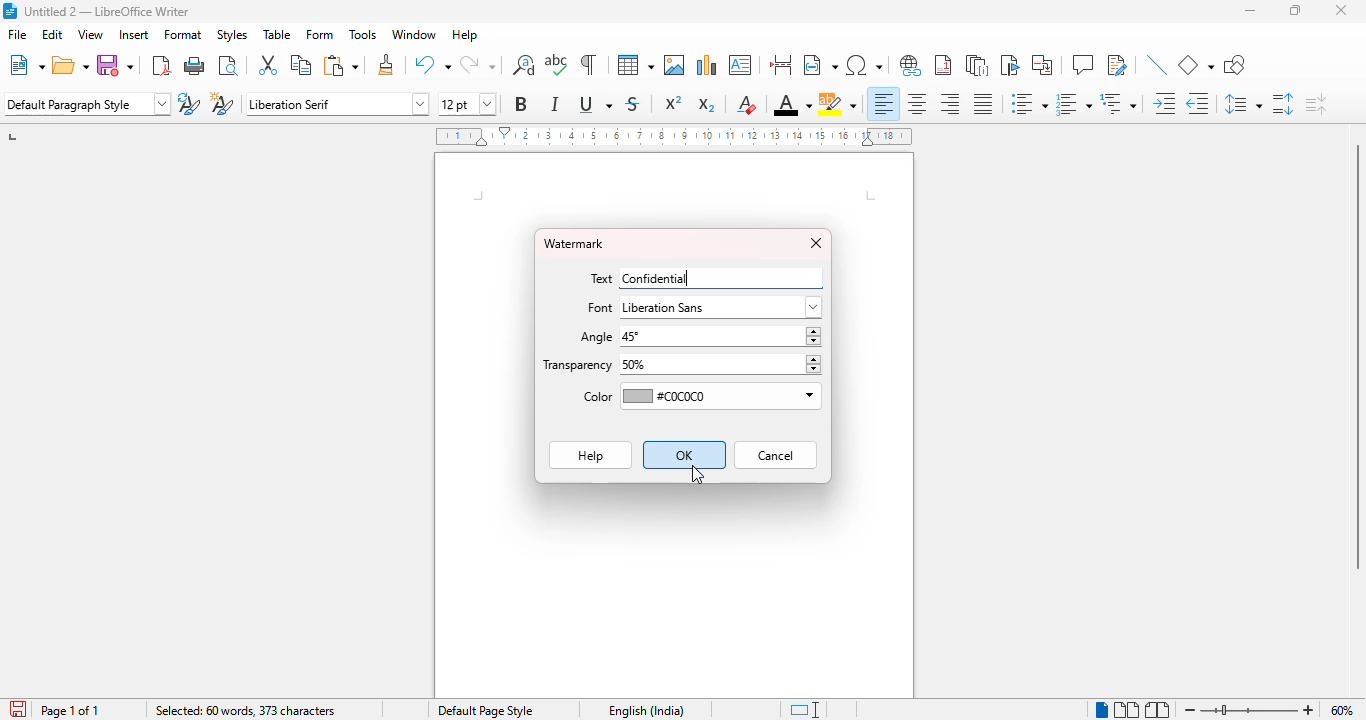 The height and width of the screenshot is (720, 1366). What do you see at coordinates (595, 104) in the screenshot?
I see `underline` at bounding box center [595, 104].